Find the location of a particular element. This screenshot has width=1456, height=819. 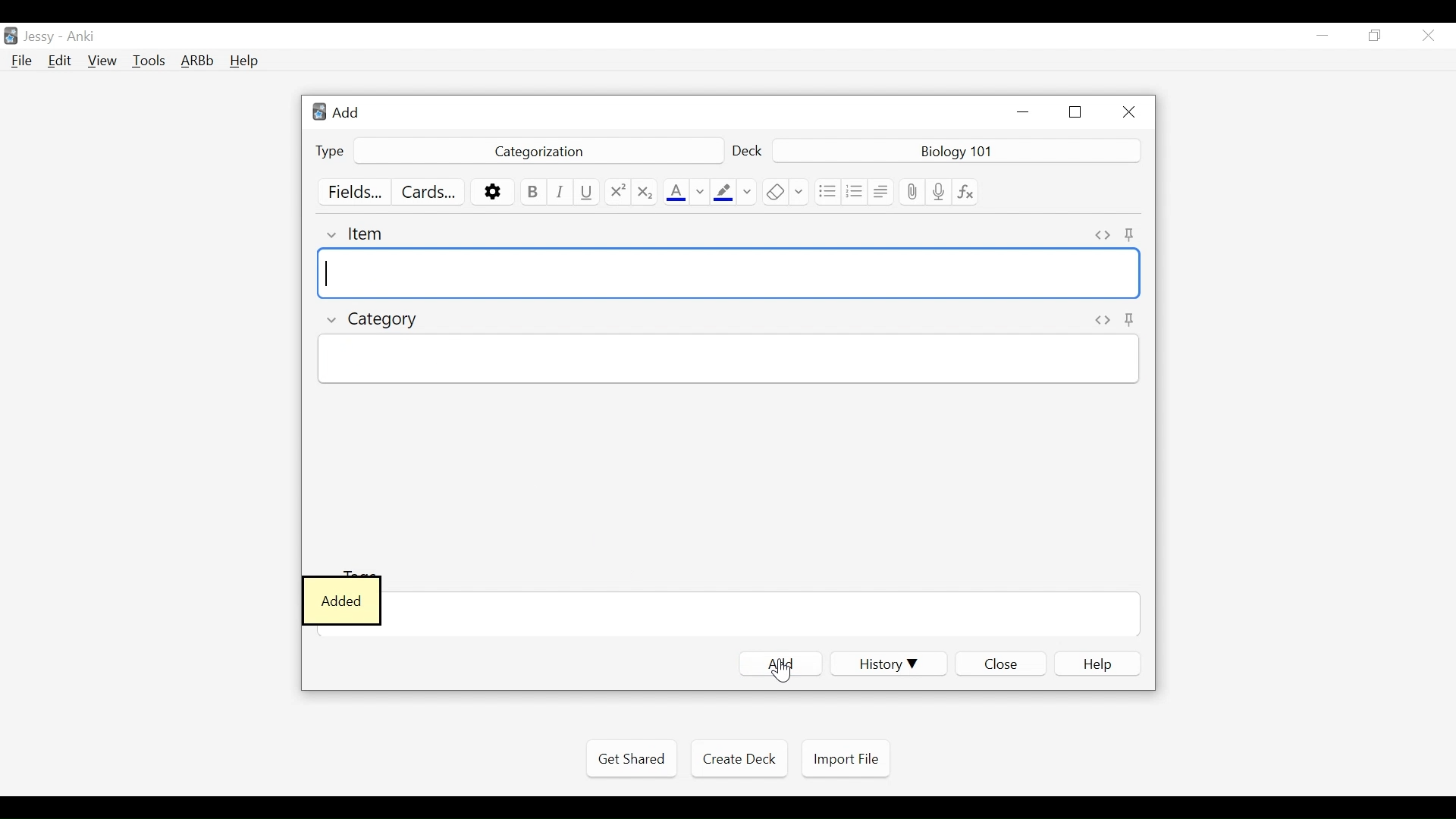

Get Shared is located at coordinates (631, 759).